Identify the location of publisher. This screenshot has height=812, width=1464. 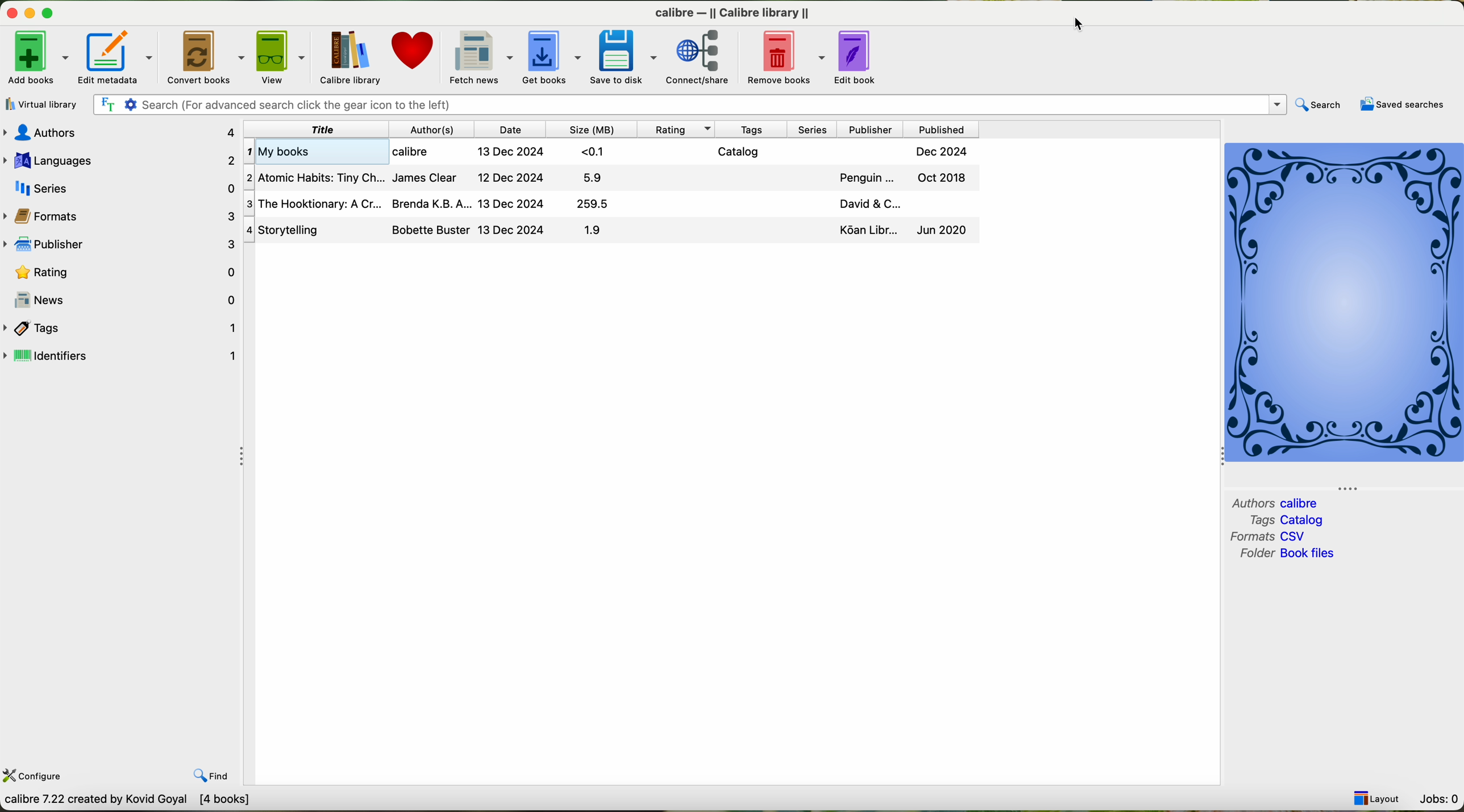
(120, 245).